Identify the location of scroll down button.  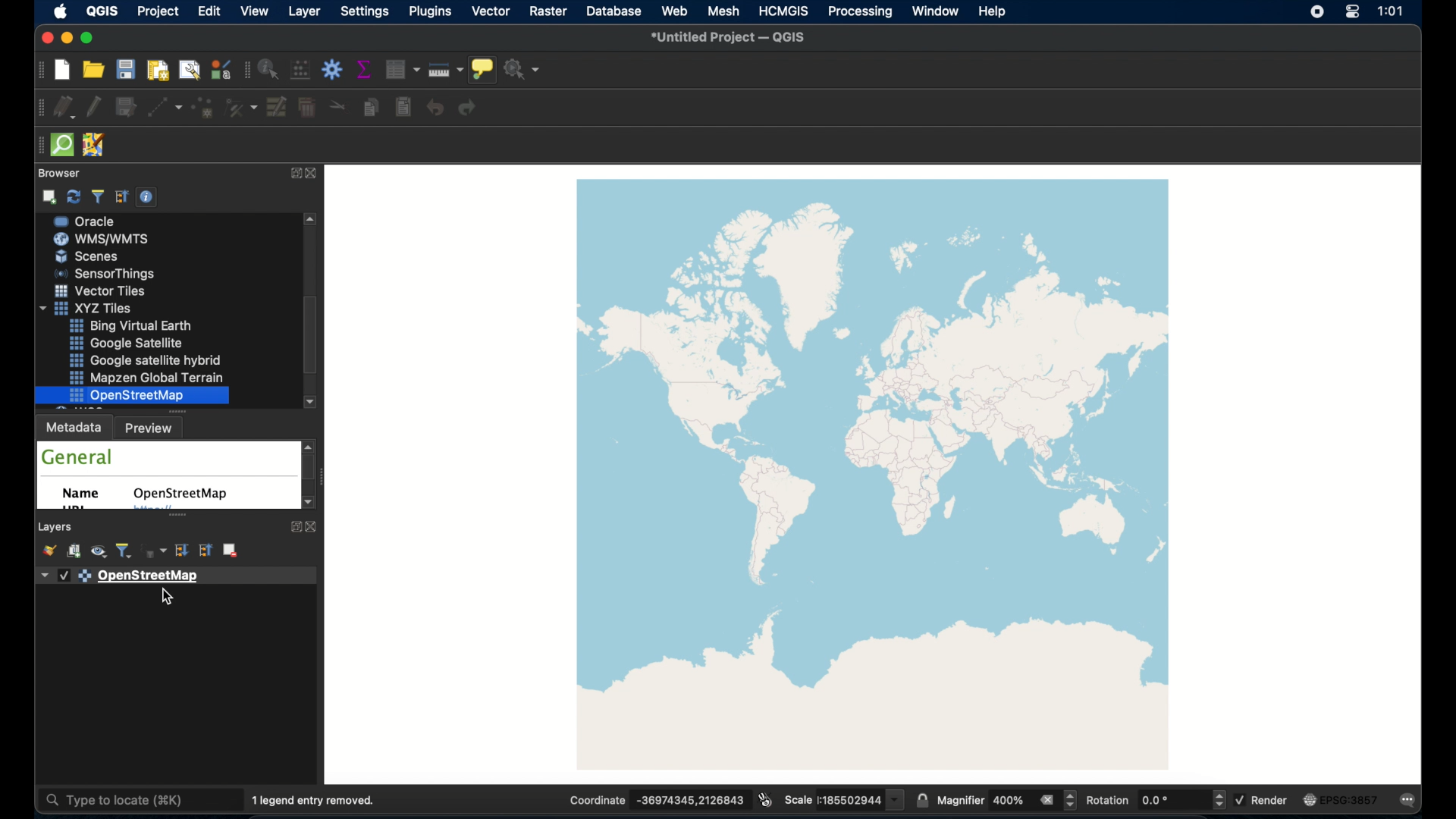
(309, 402).